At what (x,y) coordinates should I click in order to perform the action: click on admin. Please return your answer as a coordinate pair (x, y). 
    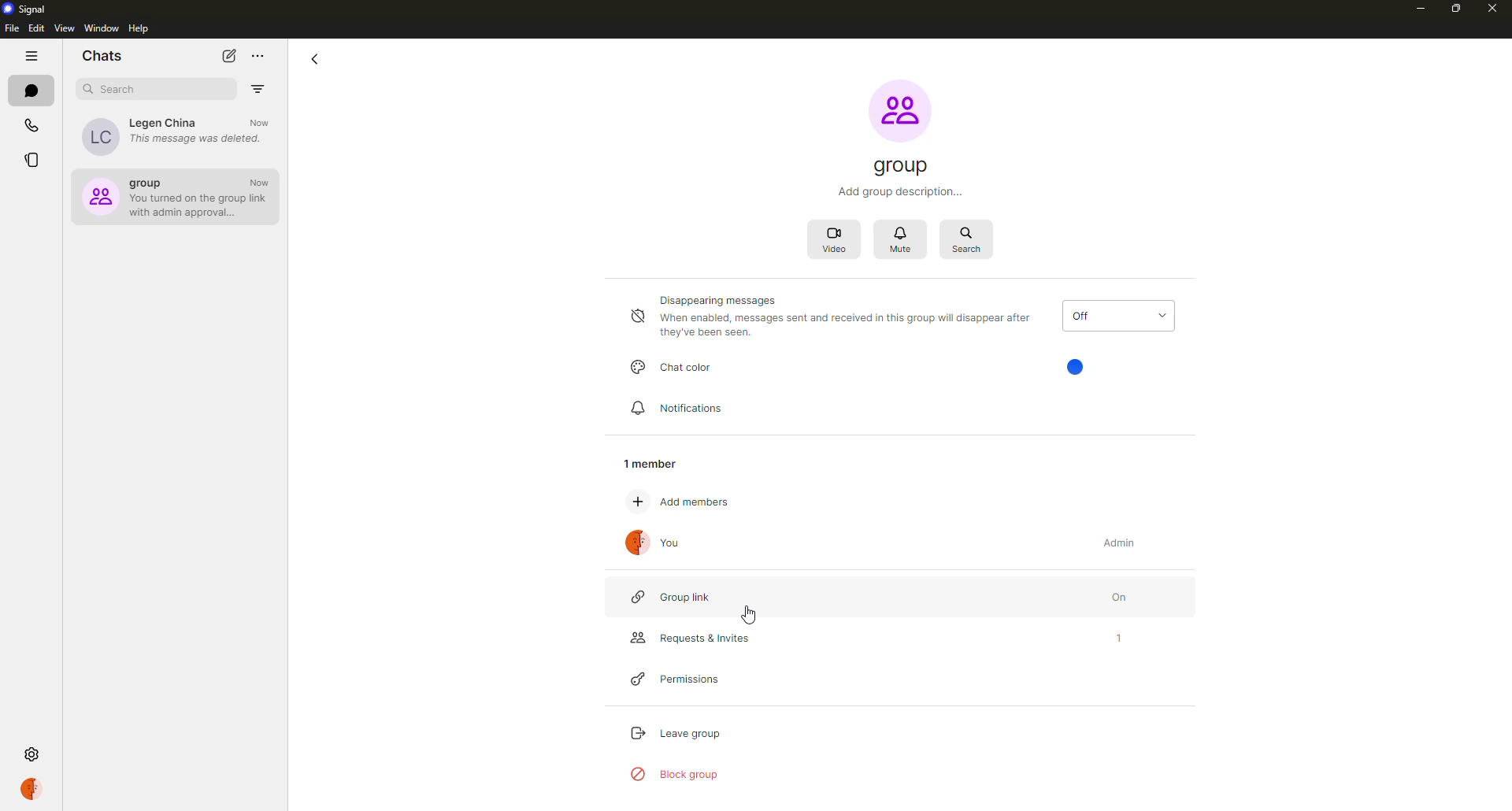
    Looking at the image, I should click on (1123, 542).